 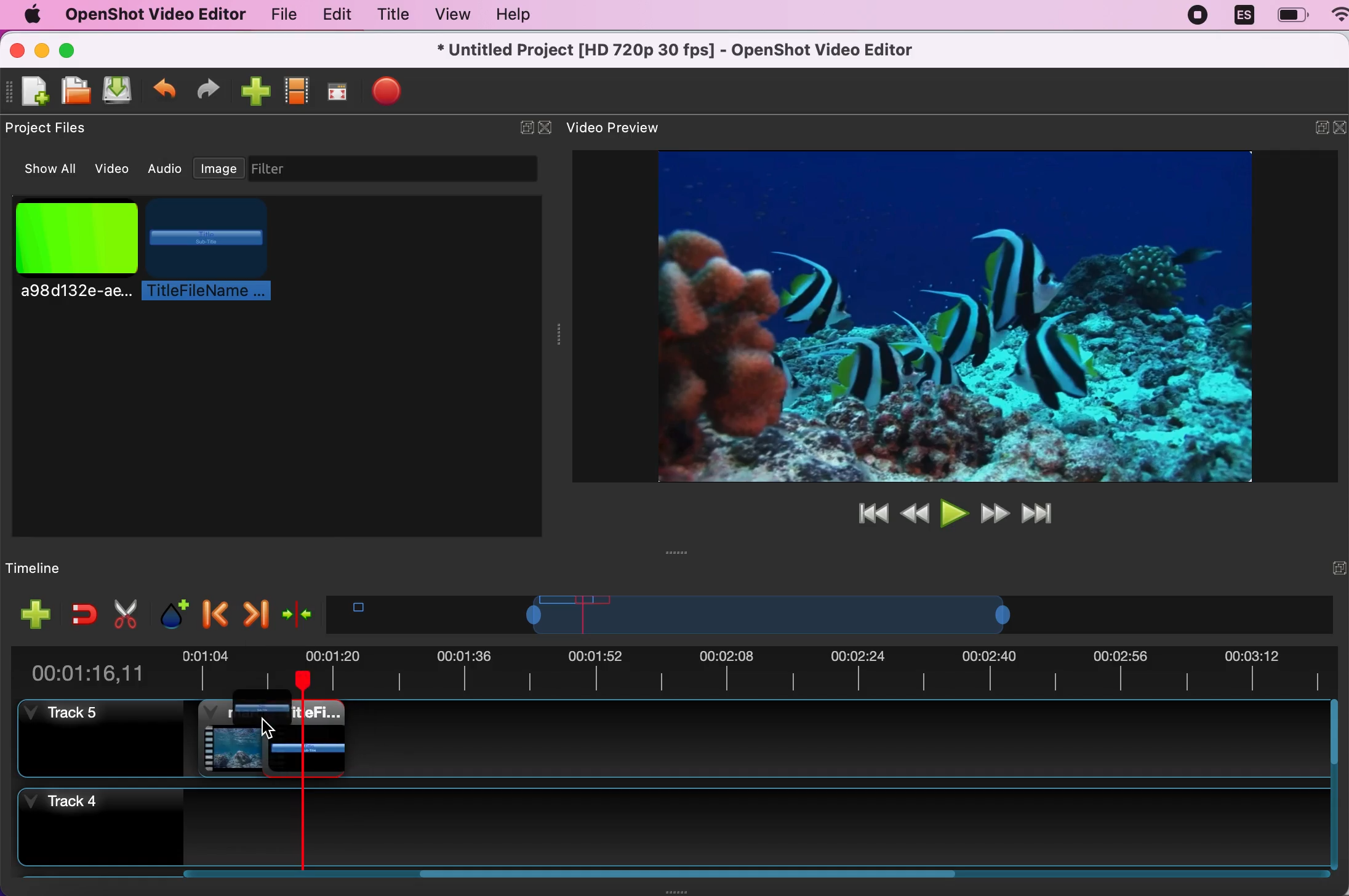 What do you see at coordinates (1292, 15) in the screenshot?
I see `battery` at bounding box center [1292, 15].